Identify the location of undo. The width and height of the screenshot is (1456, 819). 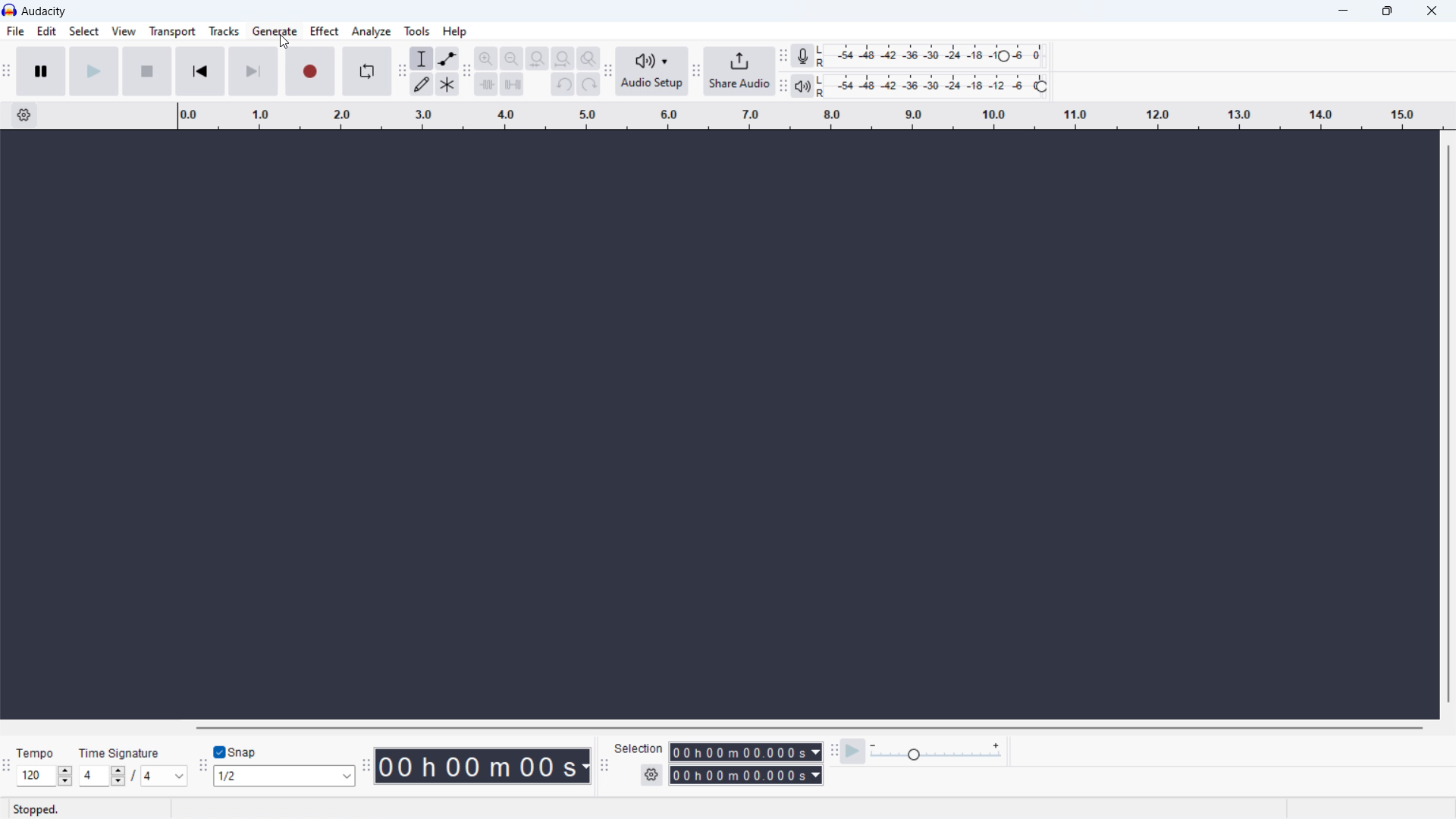
(563, 84).